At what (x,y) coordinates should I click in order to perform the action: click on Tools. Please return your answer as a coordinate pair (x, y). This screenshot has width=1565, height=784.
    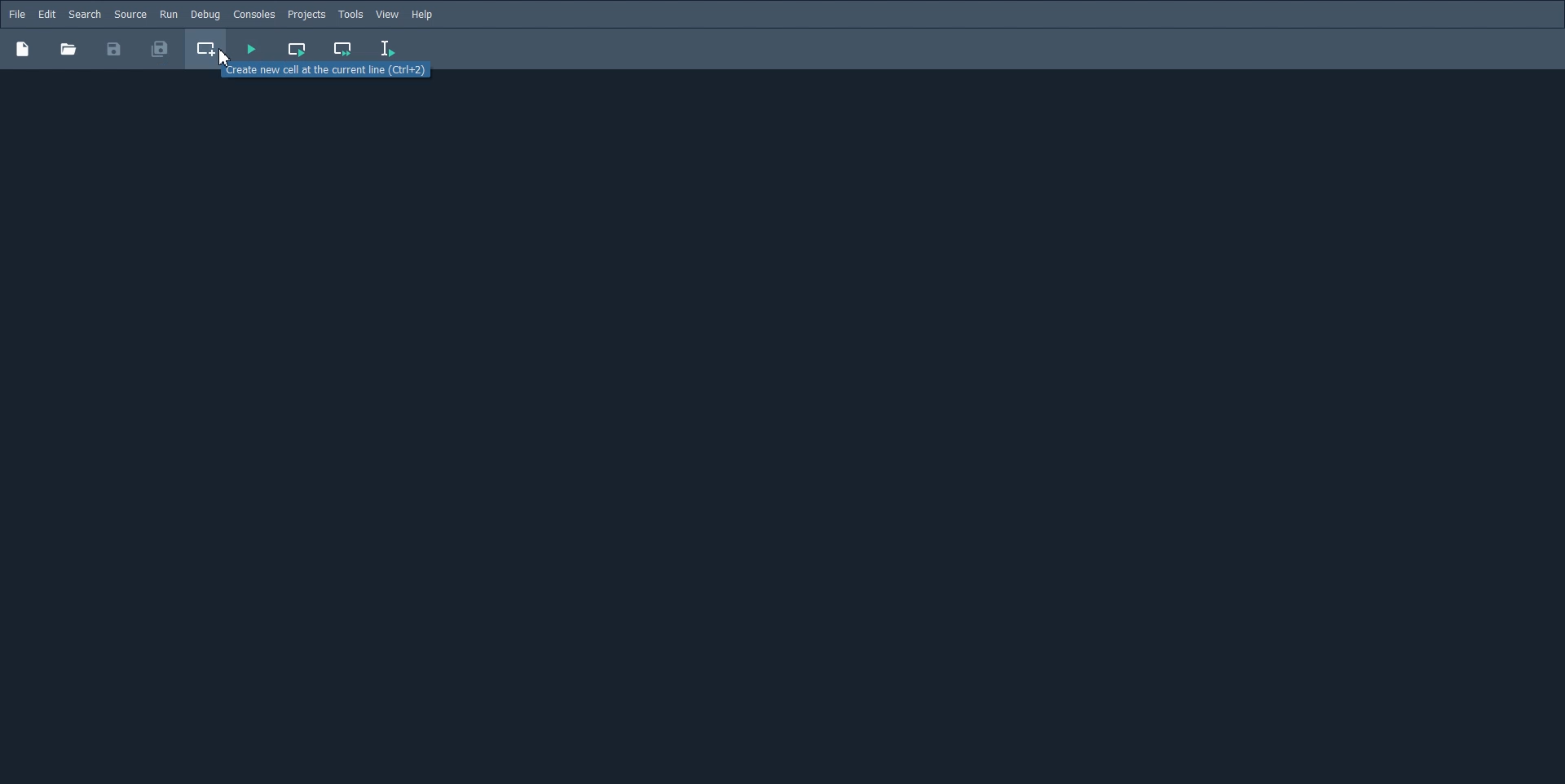
    Looking at the image, I should click on (350, 15).